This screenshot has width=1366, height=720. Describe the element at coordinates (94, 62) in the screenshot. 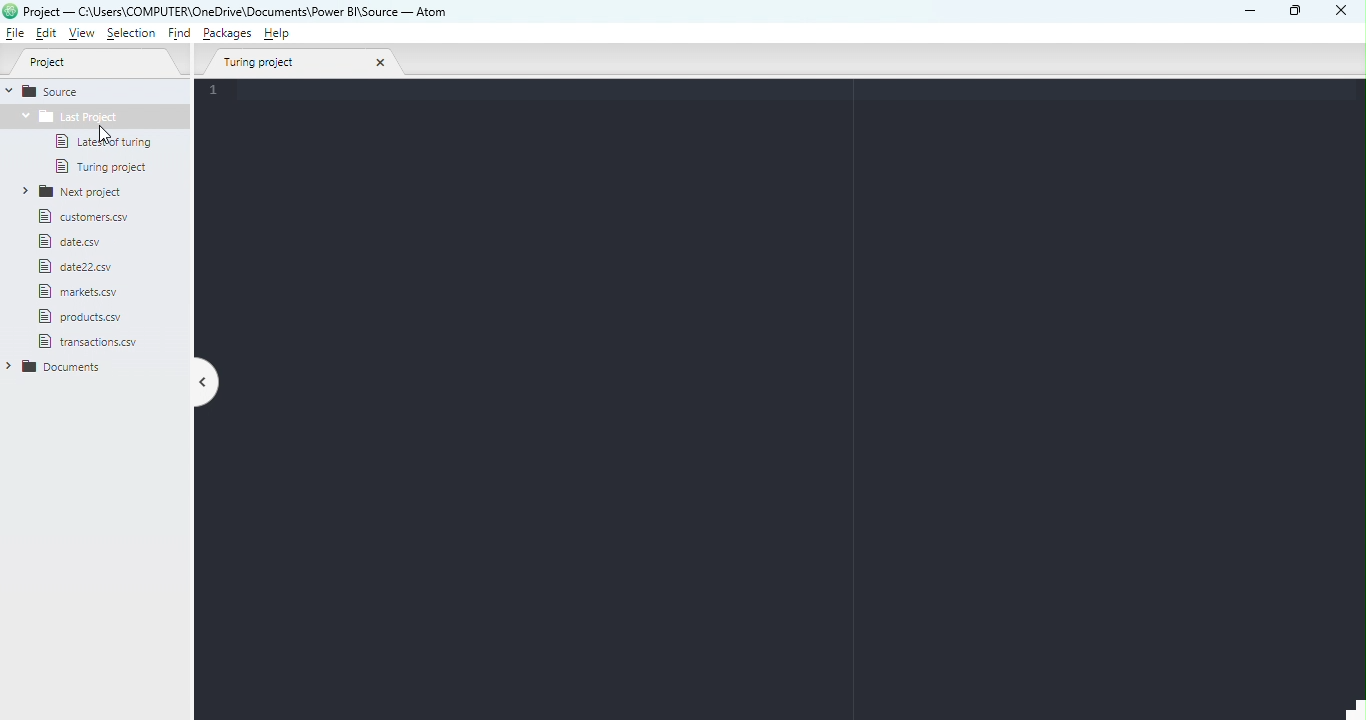

I see `Project` at that location.